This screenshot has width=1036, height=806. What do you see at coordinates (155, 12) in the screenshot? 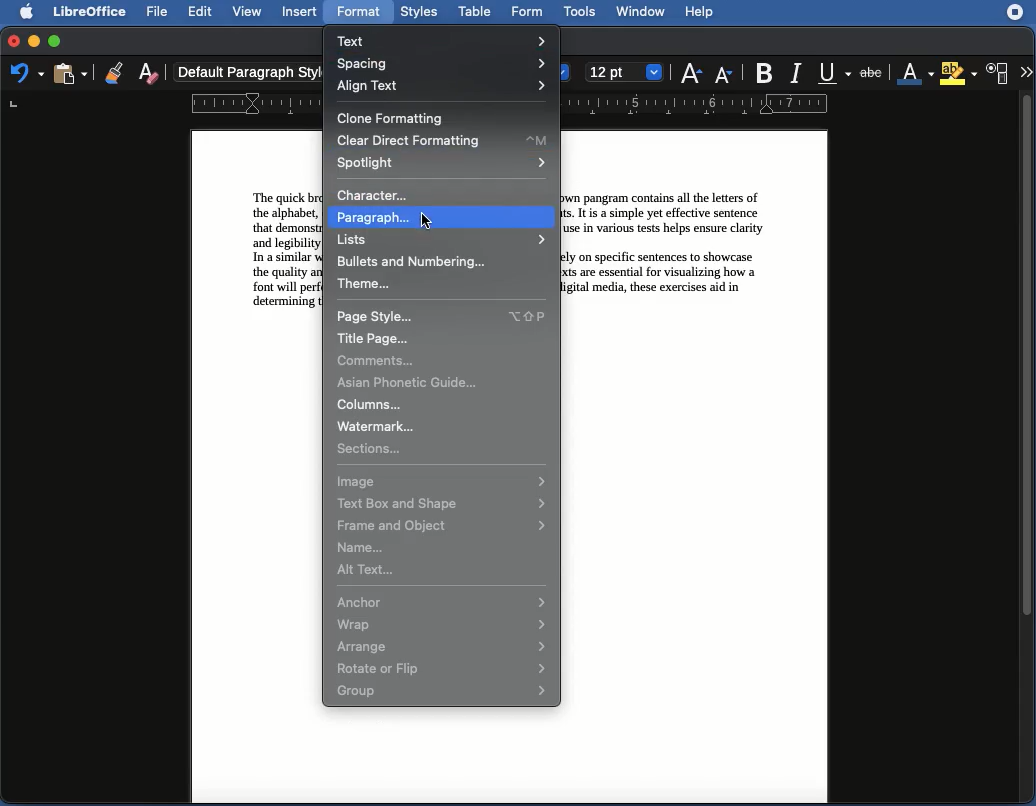
I see `File` at bounding box center [155, 12].